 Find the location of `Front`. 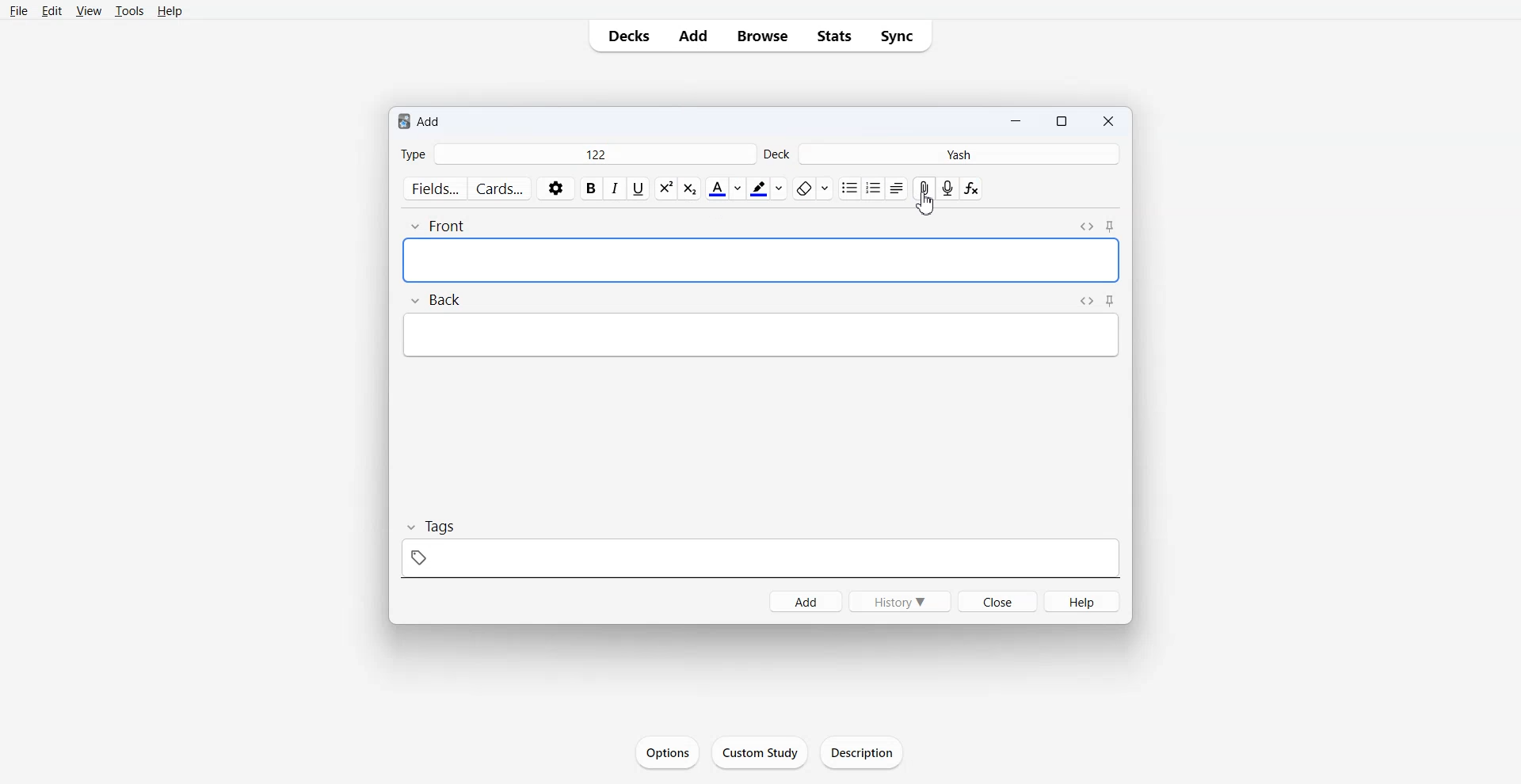

Front is located at coordinates (437, 226).